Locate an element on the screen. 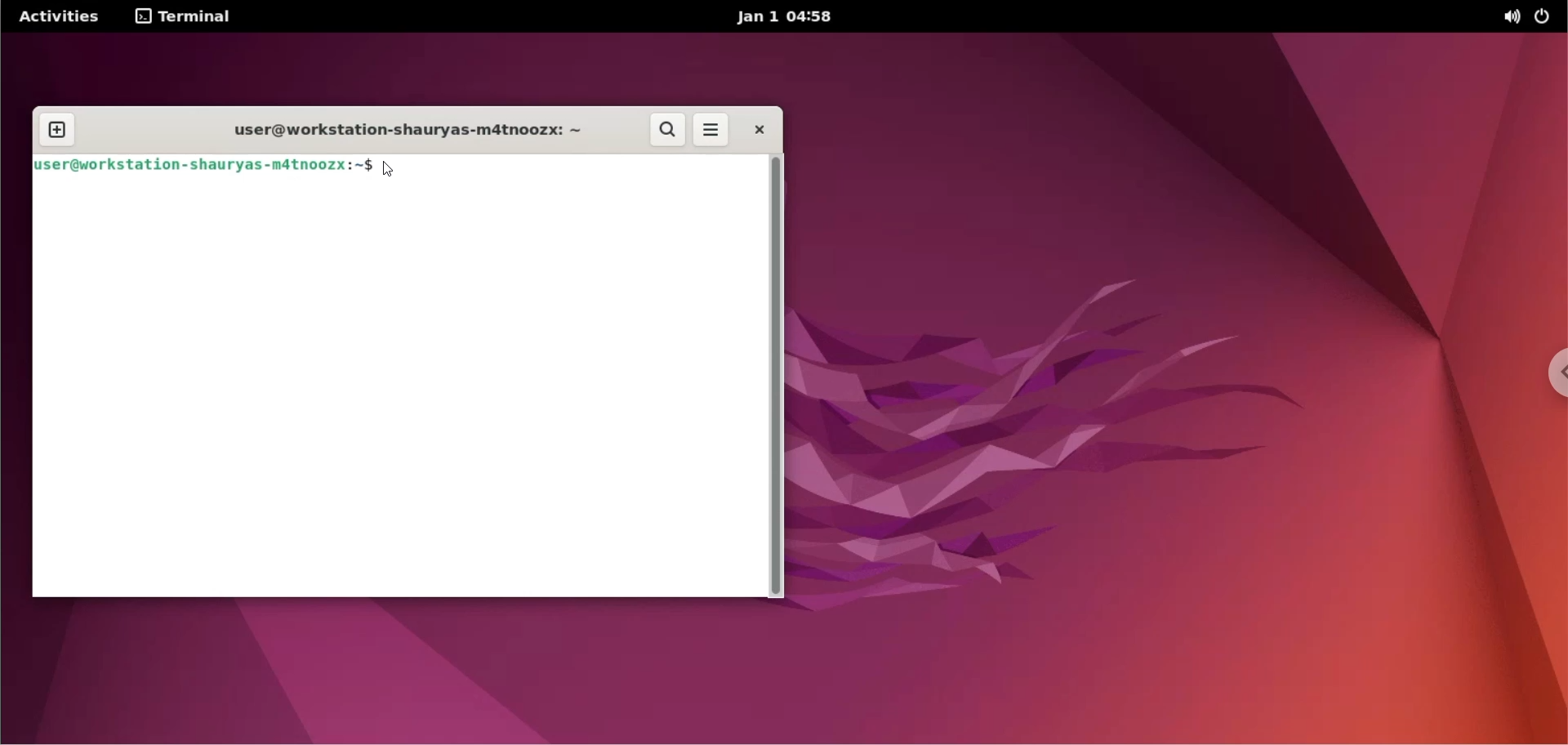 The image size is (1568, 745). chrome options is located at coordinates (1539, 377).